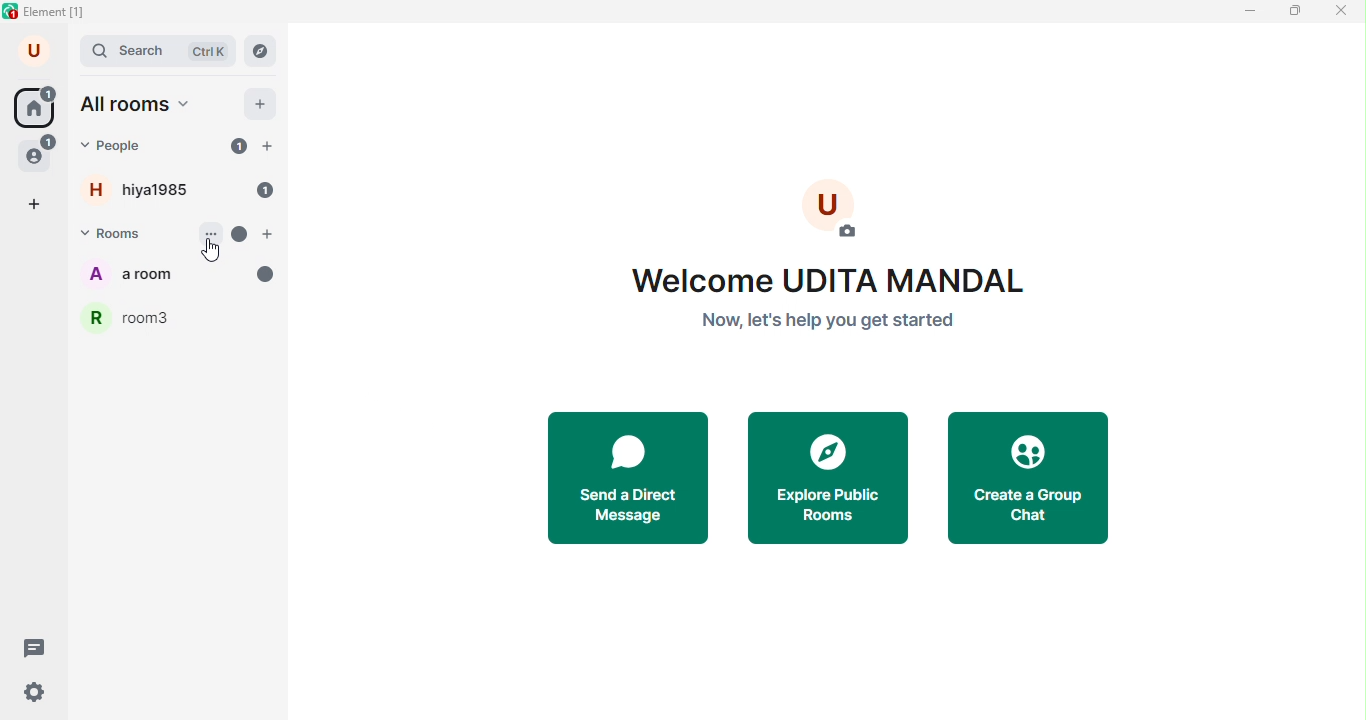 Image resolution: width=1366 pixels, height=720 pixels. What do you see at coordinates (140, 106) in the screenshot?
I see `all rooms` at bounding box center [140, 106].